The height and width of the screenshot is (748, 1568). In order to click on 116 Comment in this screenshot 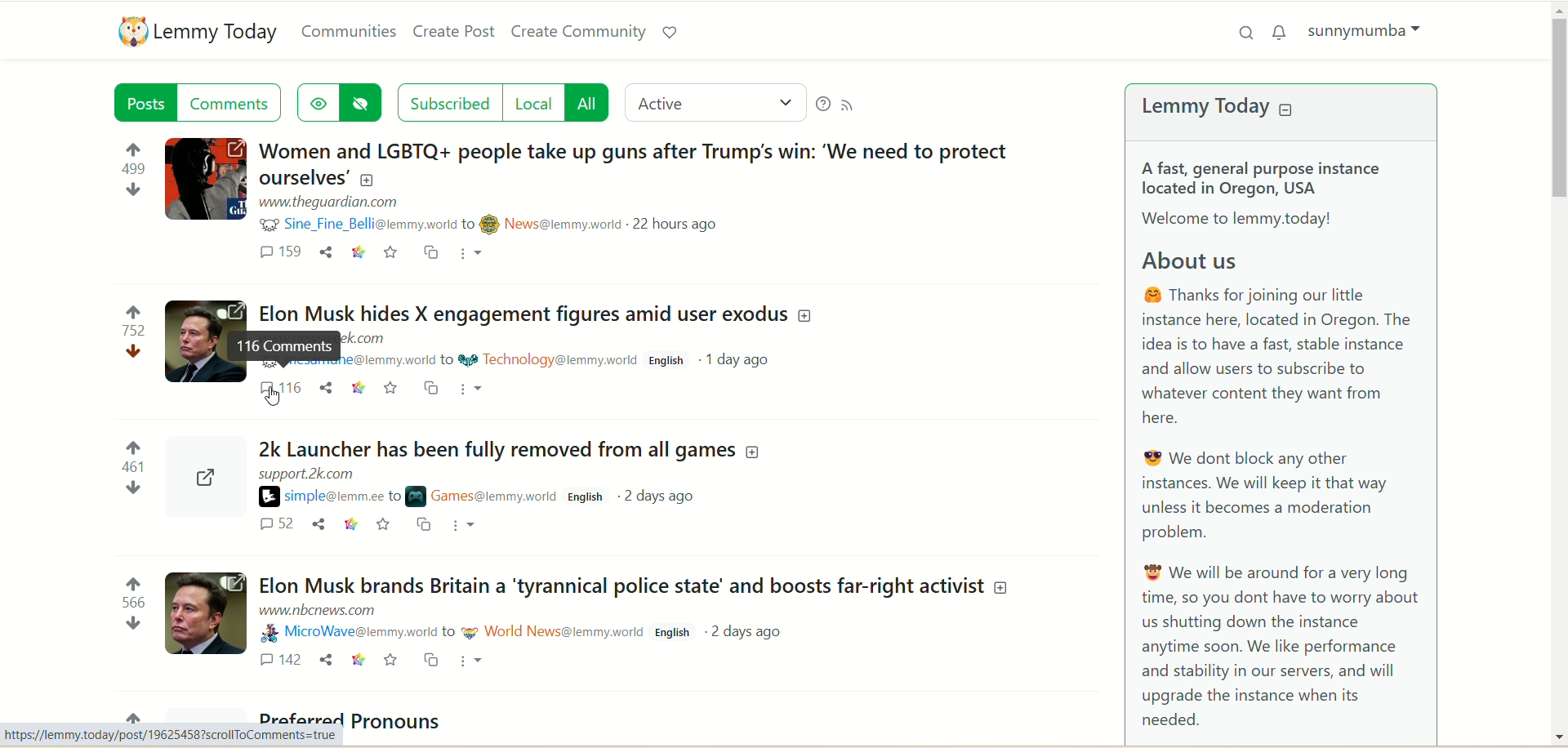, I will do `click(285, 345)`.